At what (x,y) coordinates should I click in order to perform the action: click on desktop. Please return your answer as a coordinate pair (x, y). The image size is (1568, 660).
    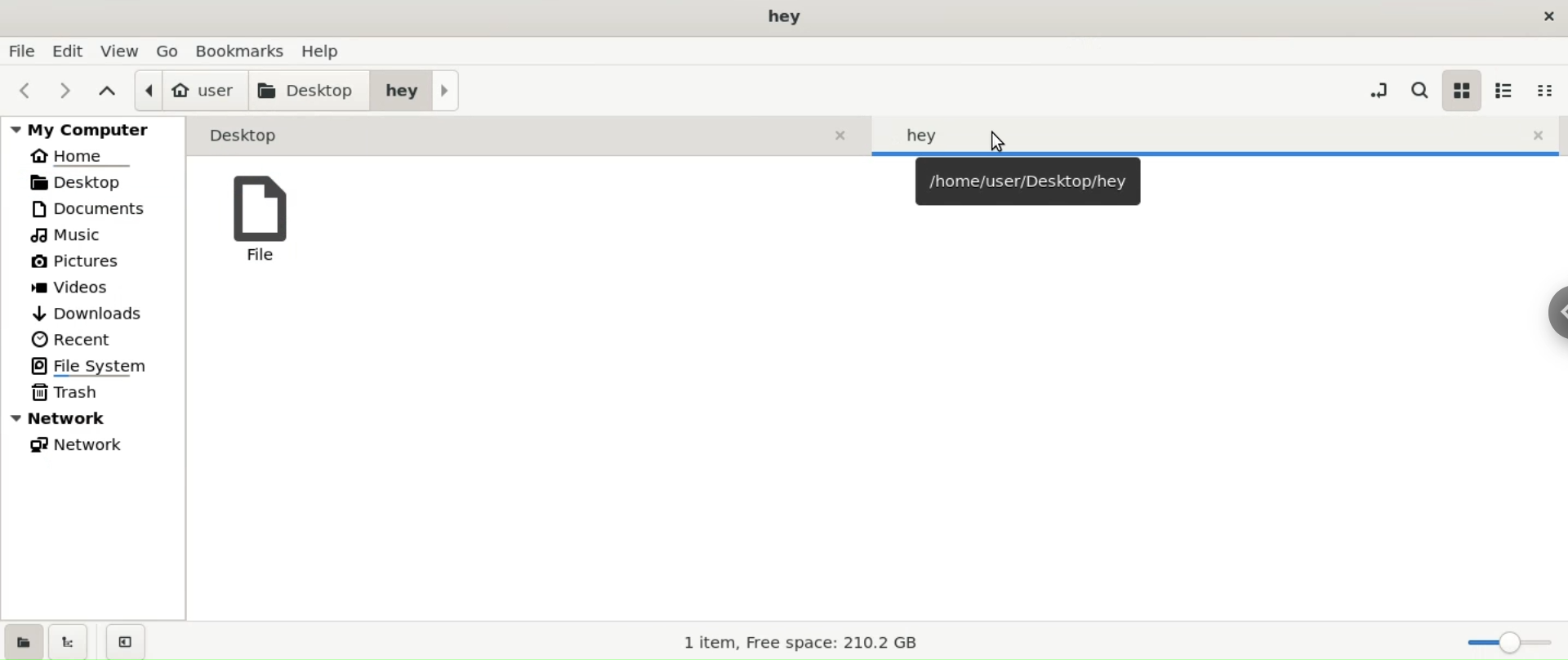
    Looking at the image, I should click on (311, 90).